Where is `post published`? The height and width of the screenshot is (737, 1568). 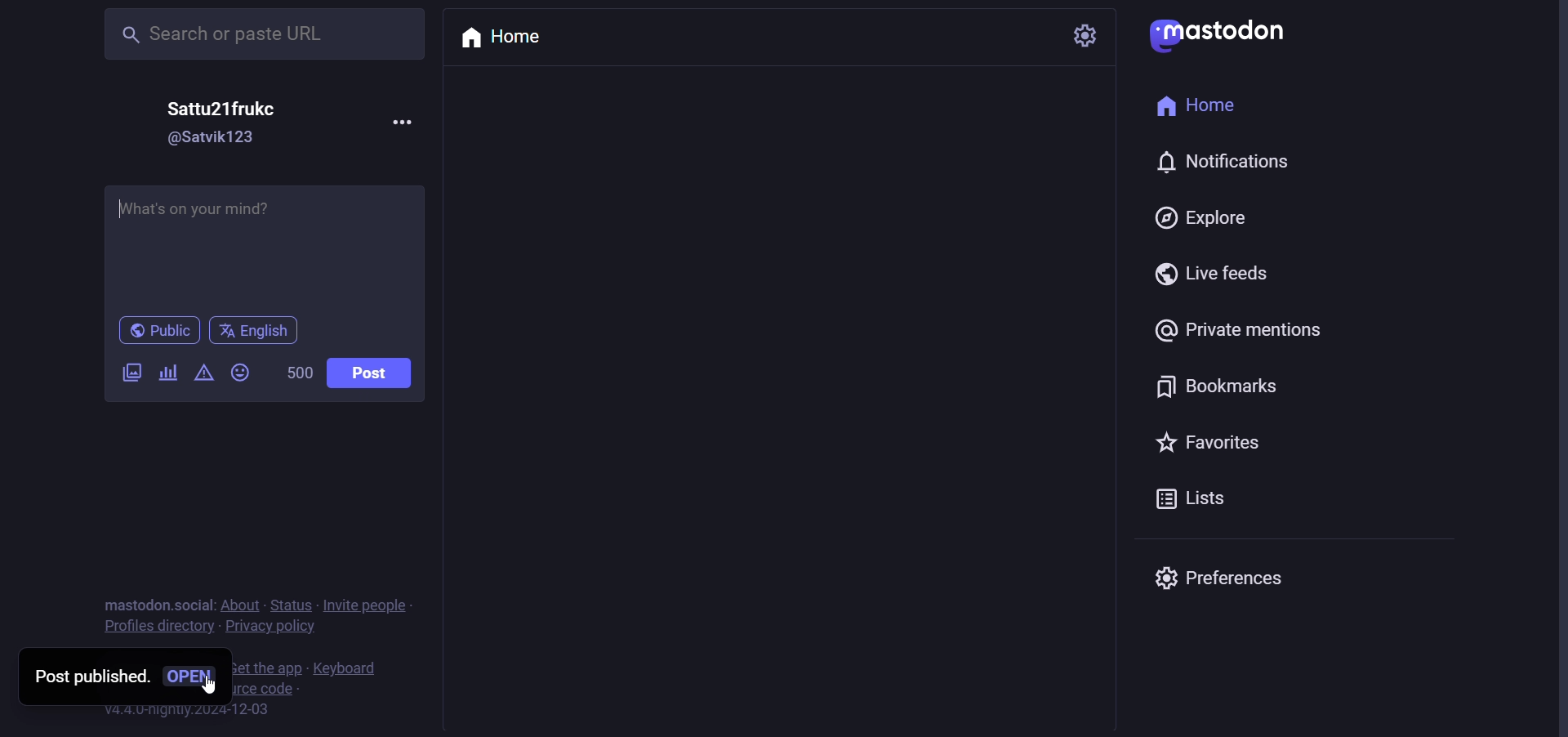 post published is located at coordinates (88, 677).